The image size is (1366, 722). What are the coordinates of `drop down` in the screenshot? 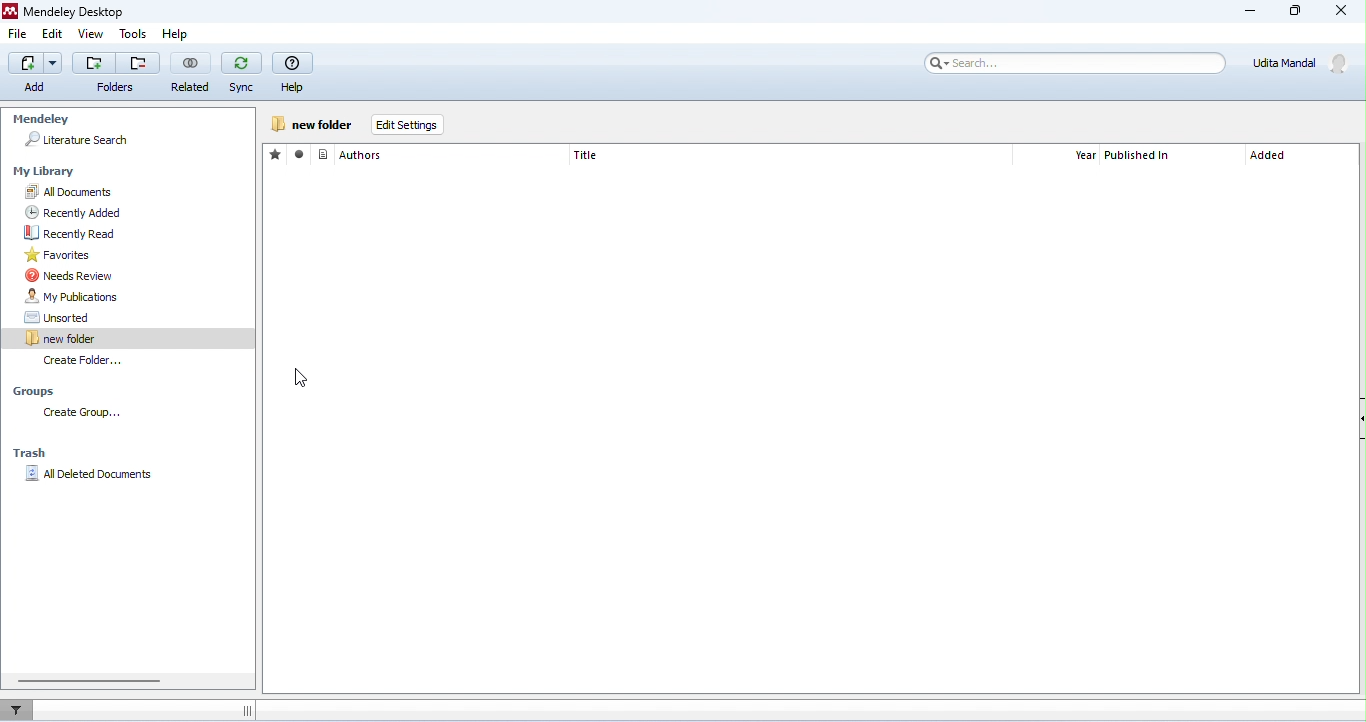 It's located at (55, 62).